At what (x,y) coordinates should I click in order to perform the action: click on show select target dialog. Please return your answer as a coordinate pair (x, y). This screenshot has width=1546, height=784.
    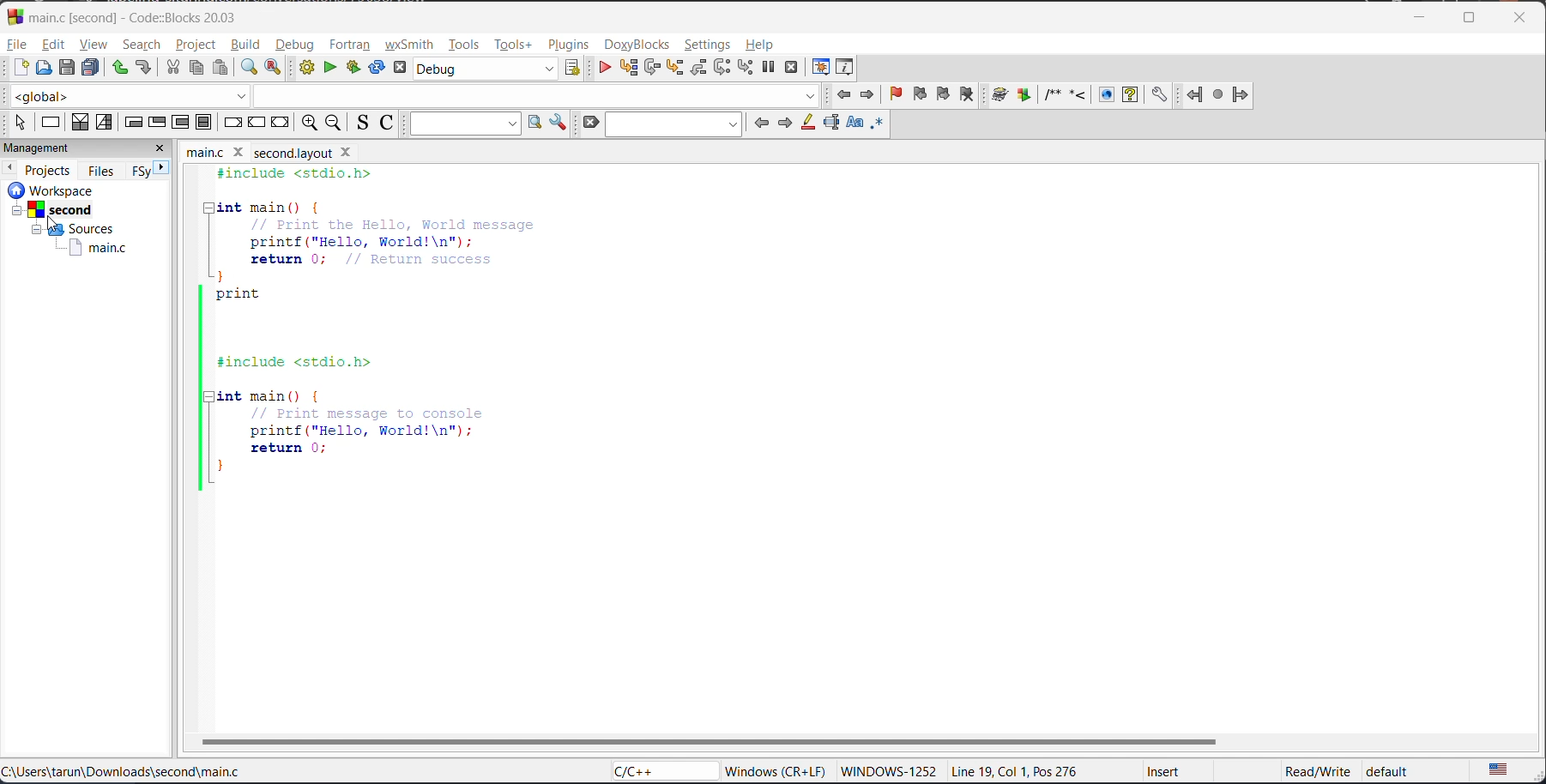
    Looking at the image, I should click on (572, 70).